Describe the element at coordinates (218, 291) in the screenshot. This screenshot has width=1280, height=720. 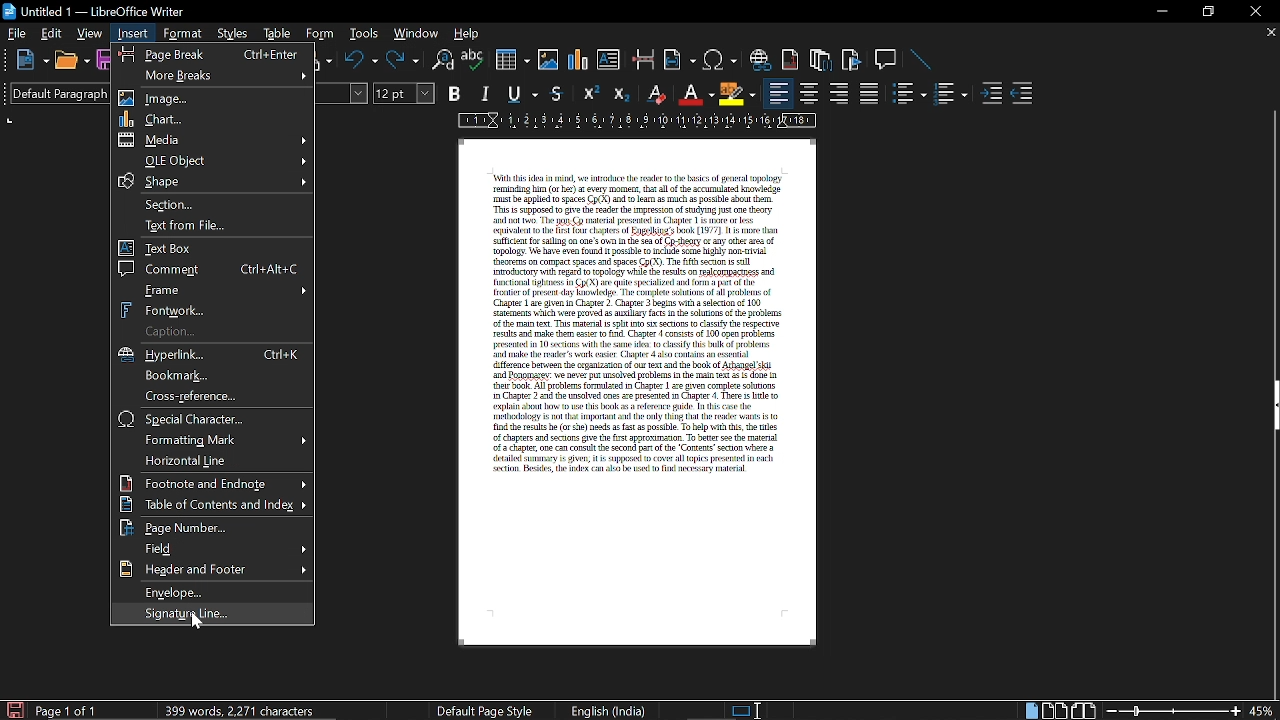
I see `frame` at that location.